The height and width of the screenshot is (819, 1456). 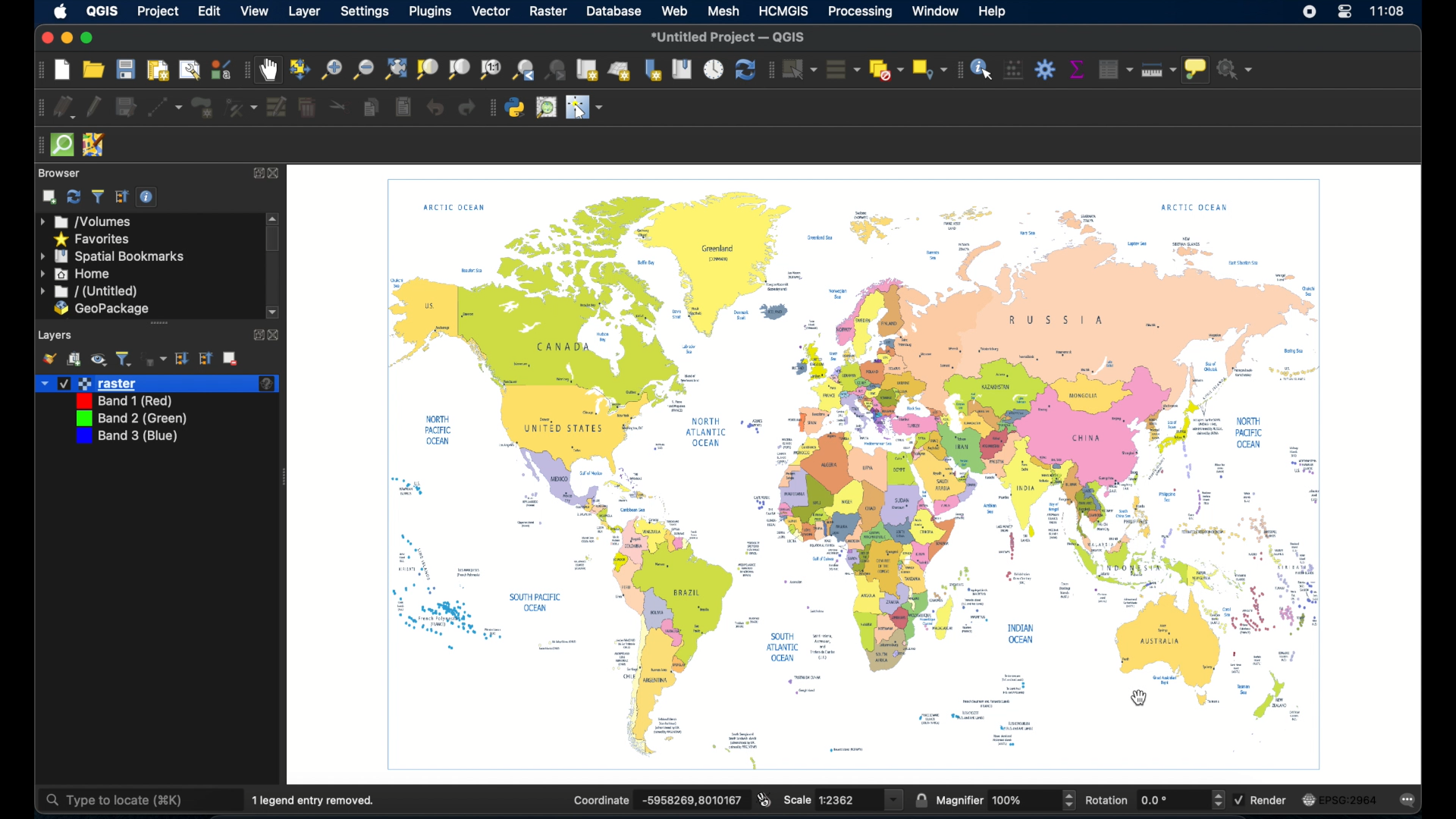 I want to click on show statistical summary, so click(x=1076, y=69).